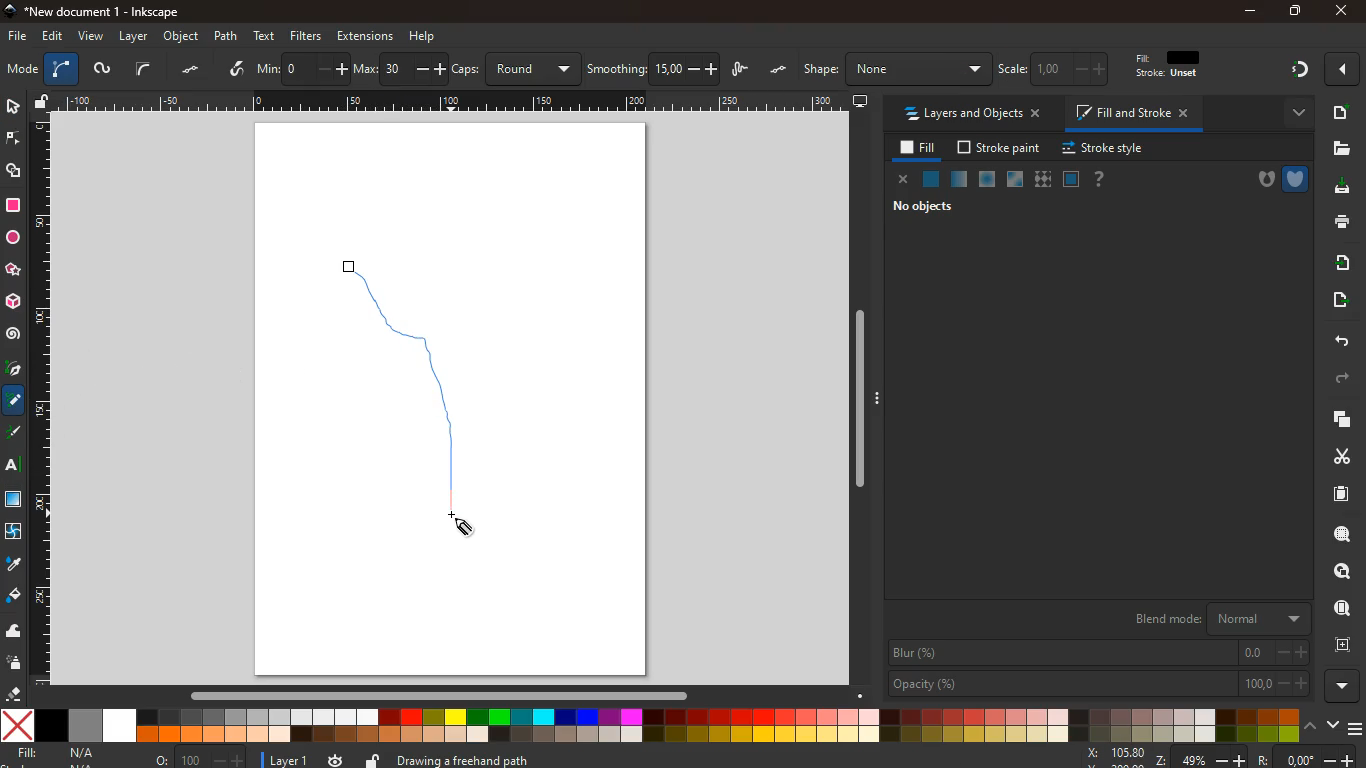  Describe the element at coordinates (861, 100) in the screenshot. I see `screen` at that location.